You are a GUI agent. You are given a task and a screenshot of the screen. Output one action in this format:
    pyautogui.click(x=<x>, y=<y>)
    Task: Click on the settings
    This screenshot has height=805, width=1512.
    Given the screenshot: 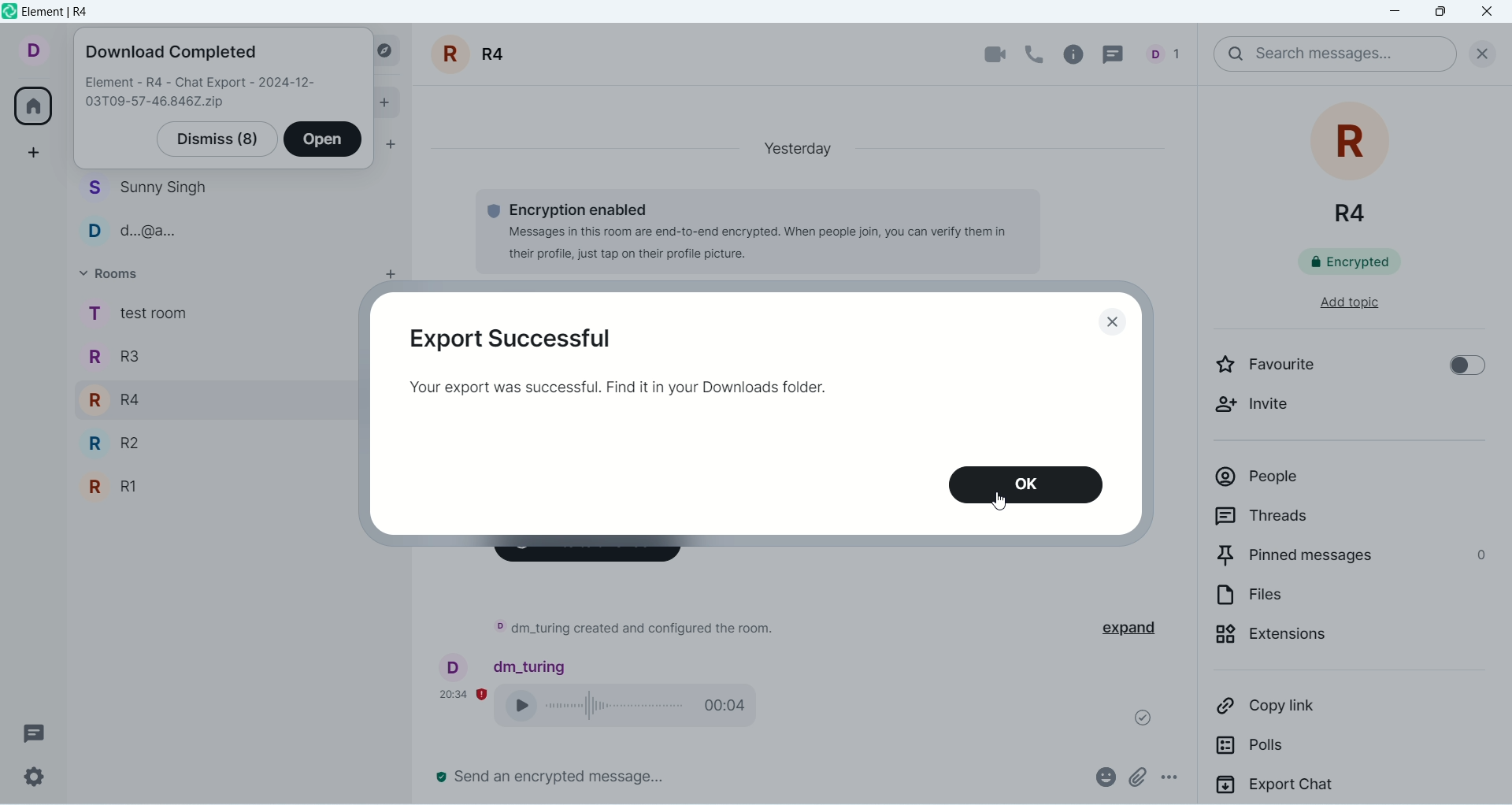 What is the action you would take?
    pyautogui.click(x=32, y=777)
    